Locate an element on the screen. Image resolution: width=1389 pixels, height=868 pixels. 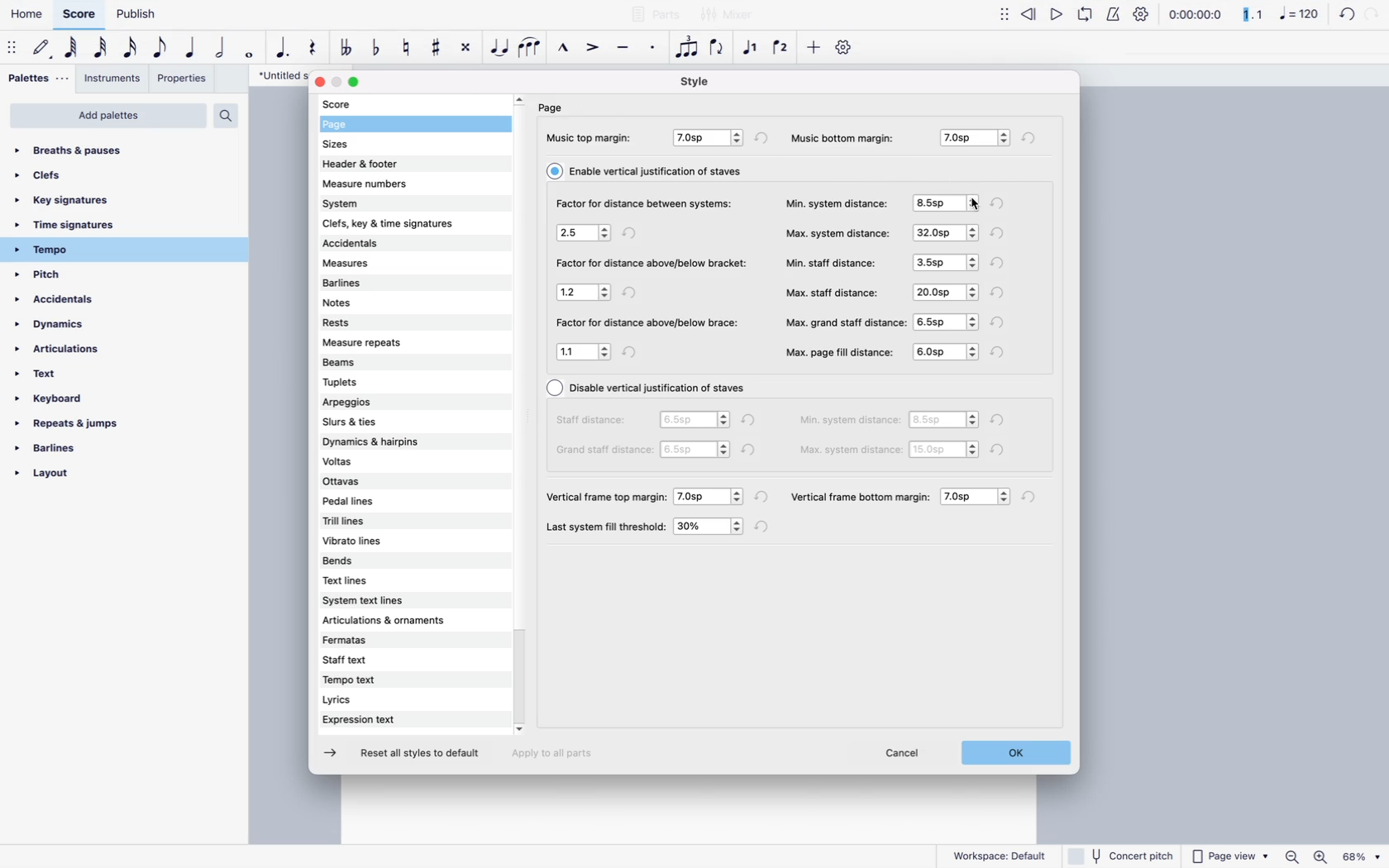
rests is located at coordinates (381, 321).